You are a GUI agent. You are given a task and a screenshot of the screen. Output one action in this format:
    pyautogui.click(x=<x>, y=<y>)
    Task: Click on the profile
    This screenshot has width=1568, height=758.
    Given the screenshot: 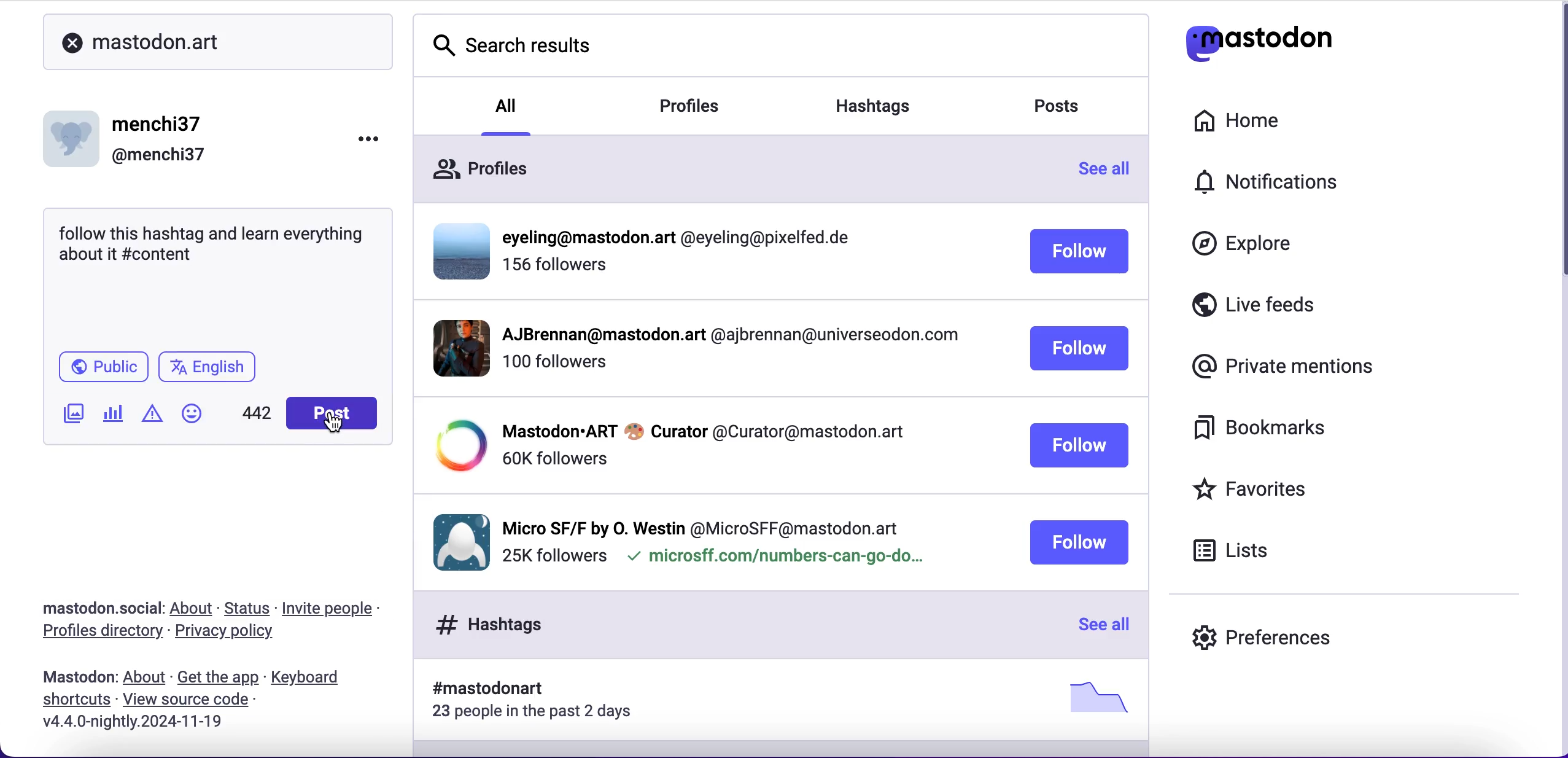 What is the action you would take?
    pyautogui.click(x=703, y=430)
    